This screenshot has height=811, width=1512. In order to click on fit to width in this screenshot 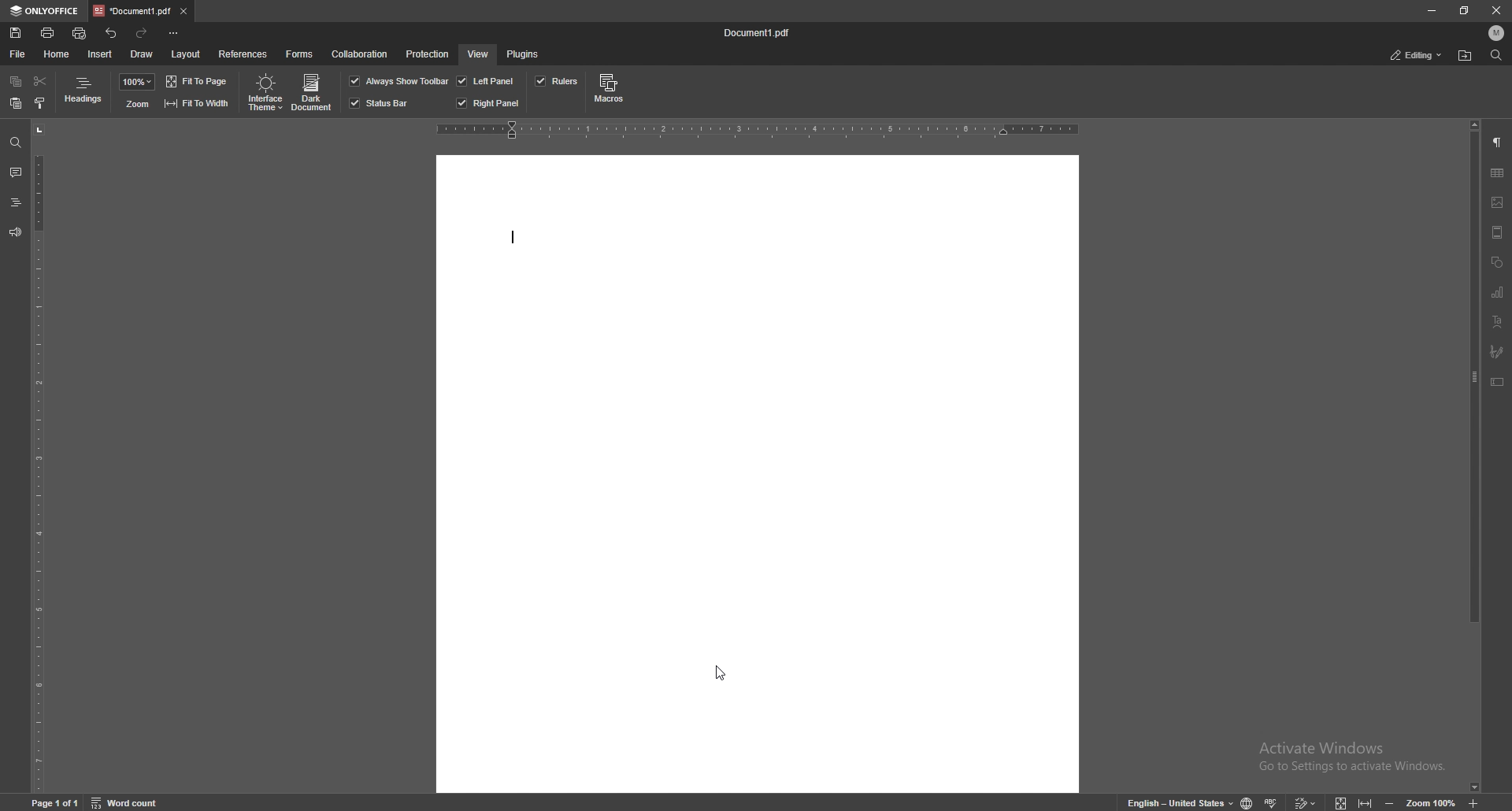, I will do `click(1365, 802)`.